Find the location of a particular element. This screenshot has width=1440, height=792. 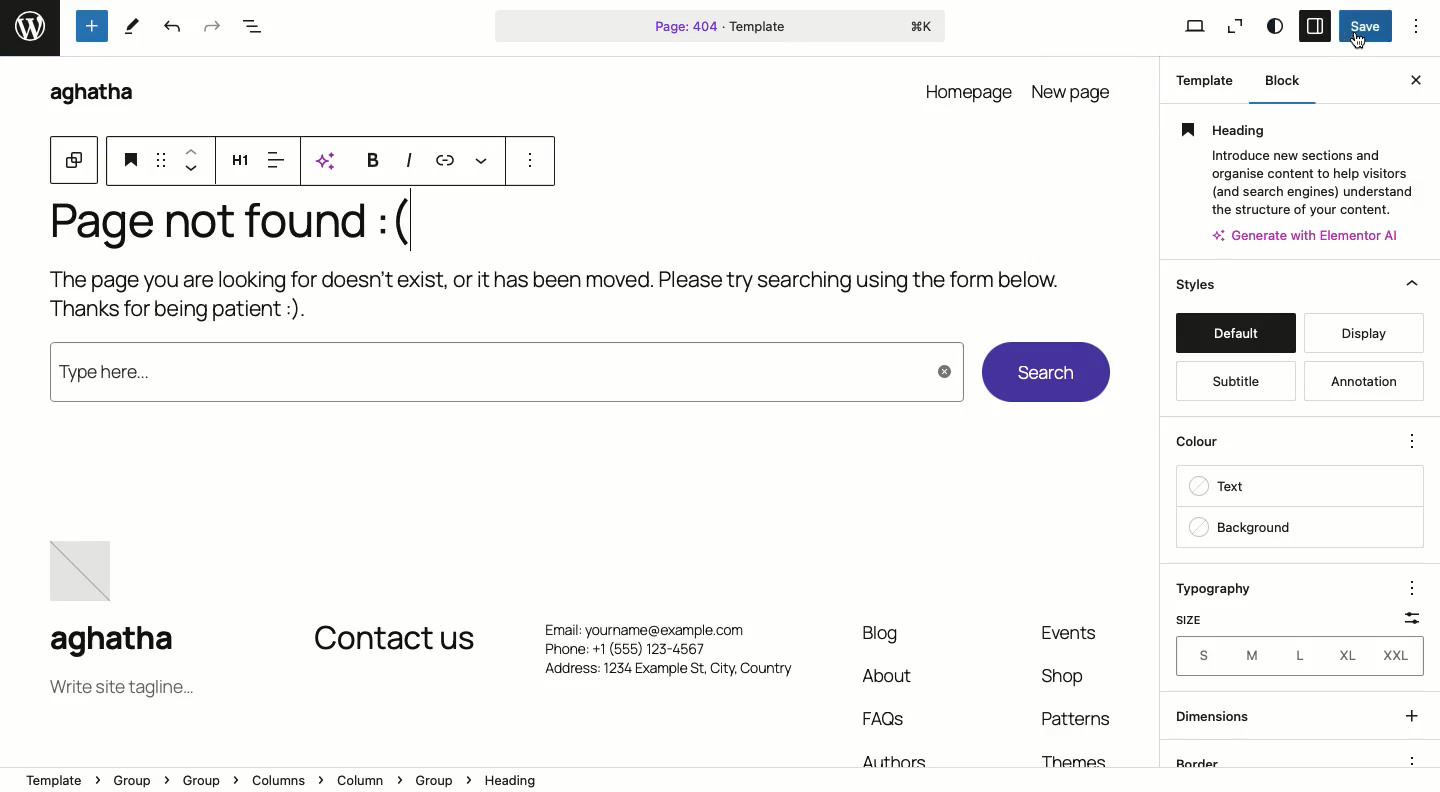

dimensions is located at coordinates (1297, 715).